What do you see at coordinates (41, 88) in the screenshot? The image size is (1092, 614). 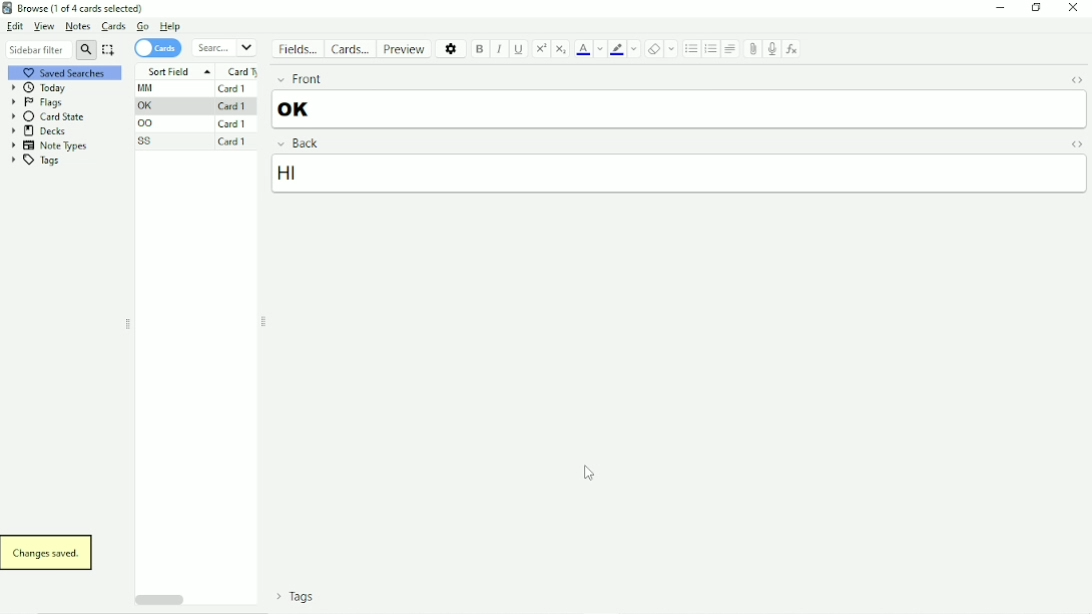 I see `Today` at bounding box center [41, 88].